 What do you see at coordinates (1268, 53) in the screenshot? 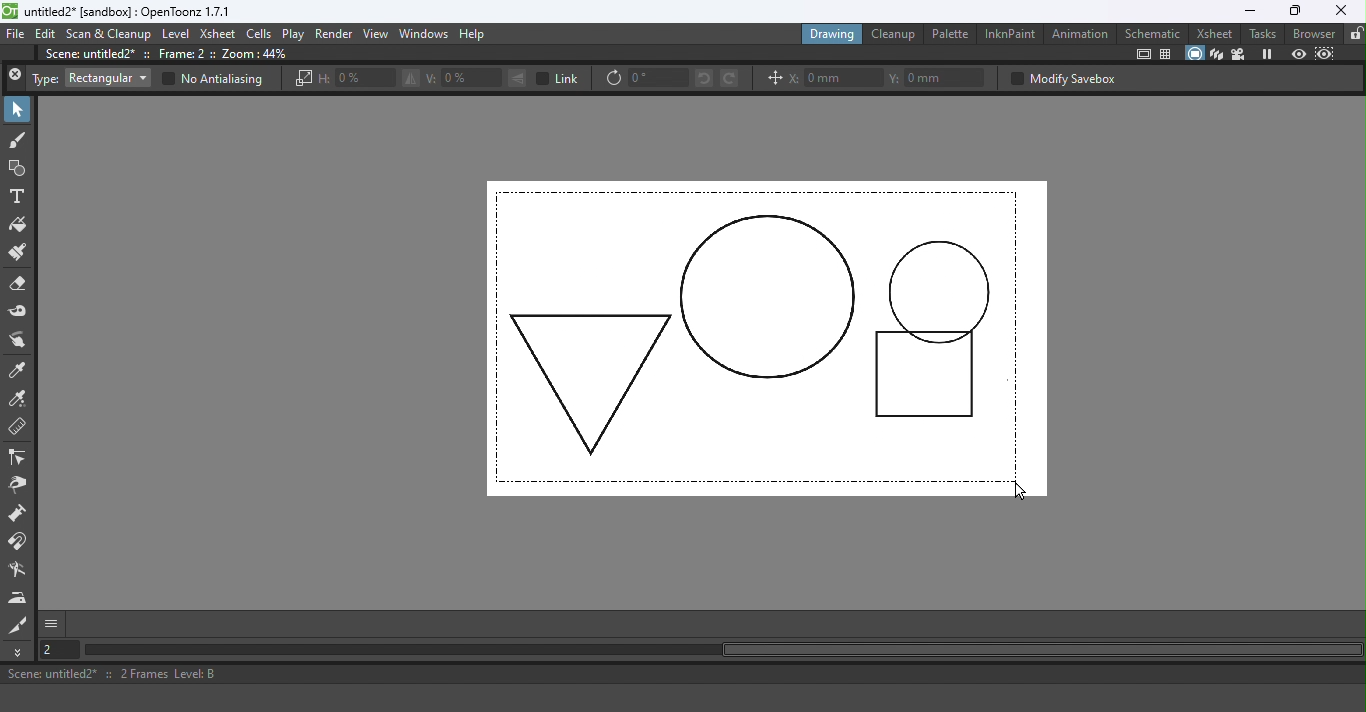
I see `Freeze` at bounding box center [1268, 53].